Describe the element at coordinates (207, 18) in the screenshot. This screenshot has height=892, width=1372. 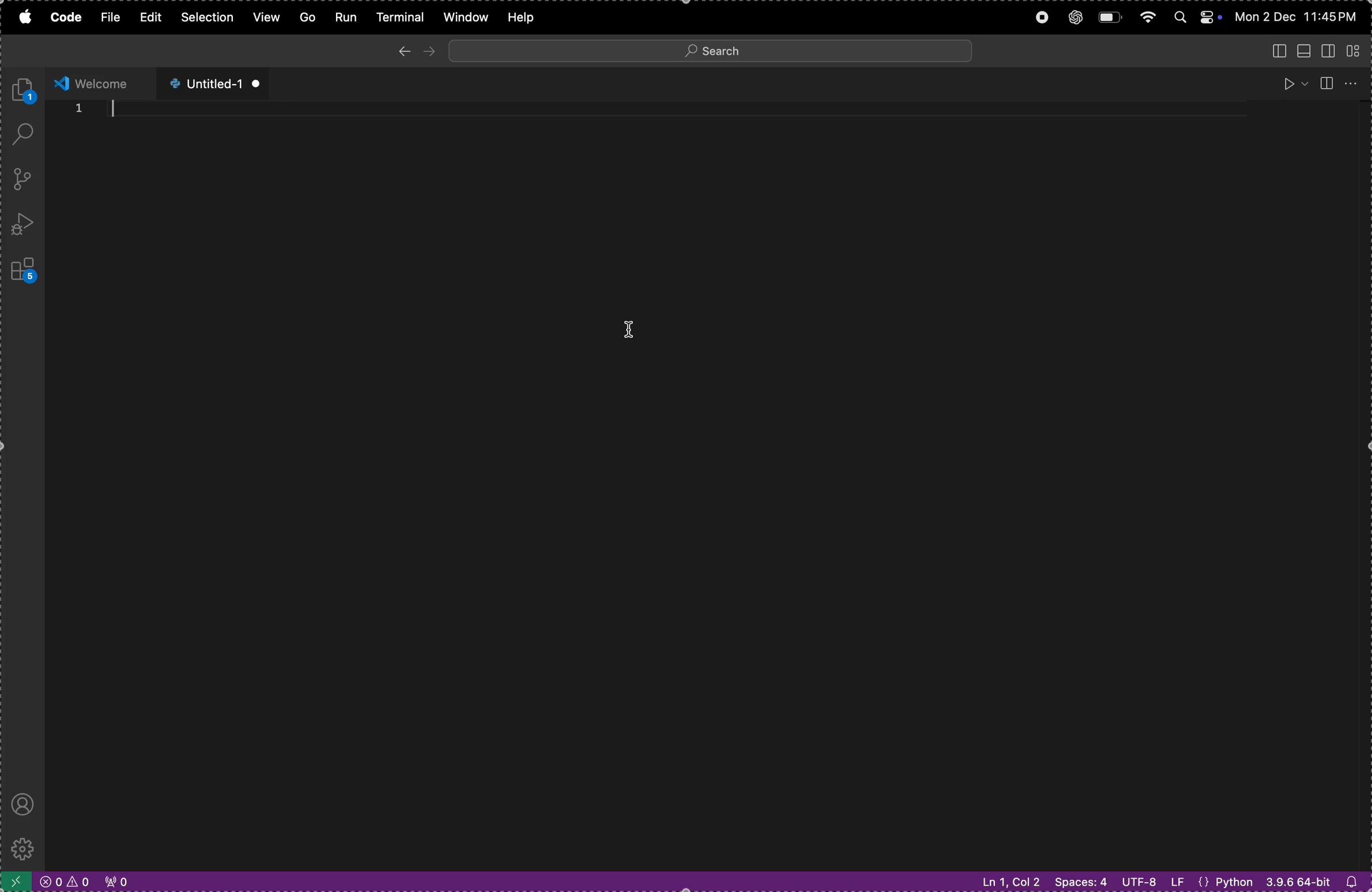
I see `selection` at that location.